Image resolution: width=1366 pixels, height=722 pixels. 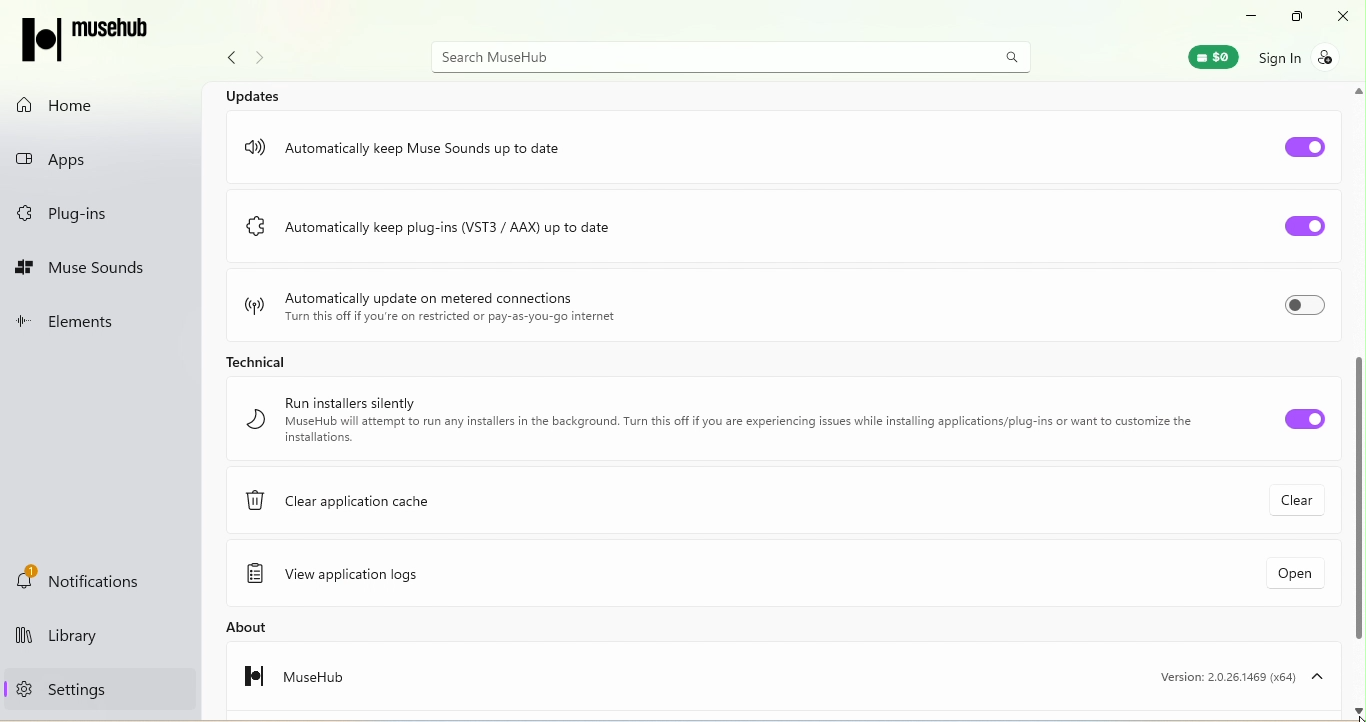 I want to click on Toggle, so click(x=1303, y=309).